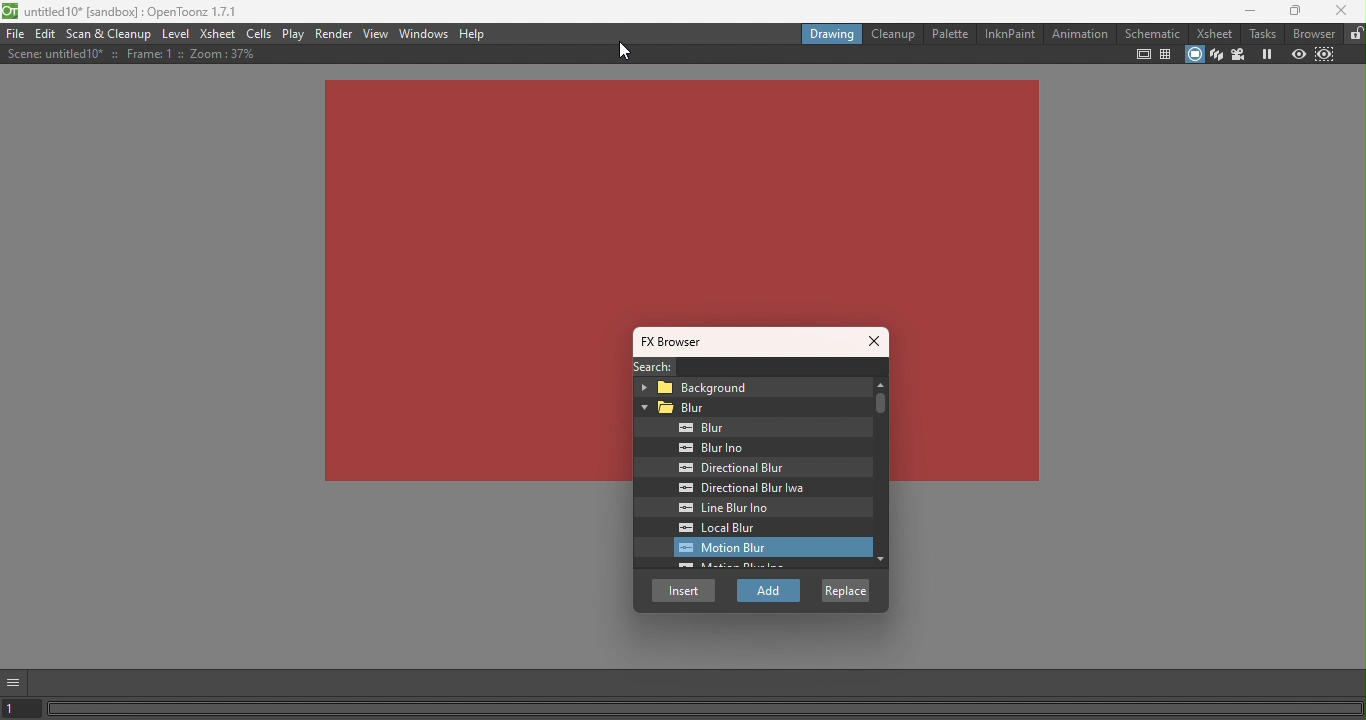 The height and width of the screenshot is (720, 1366). I want to click on Blur, so click(751, 408).